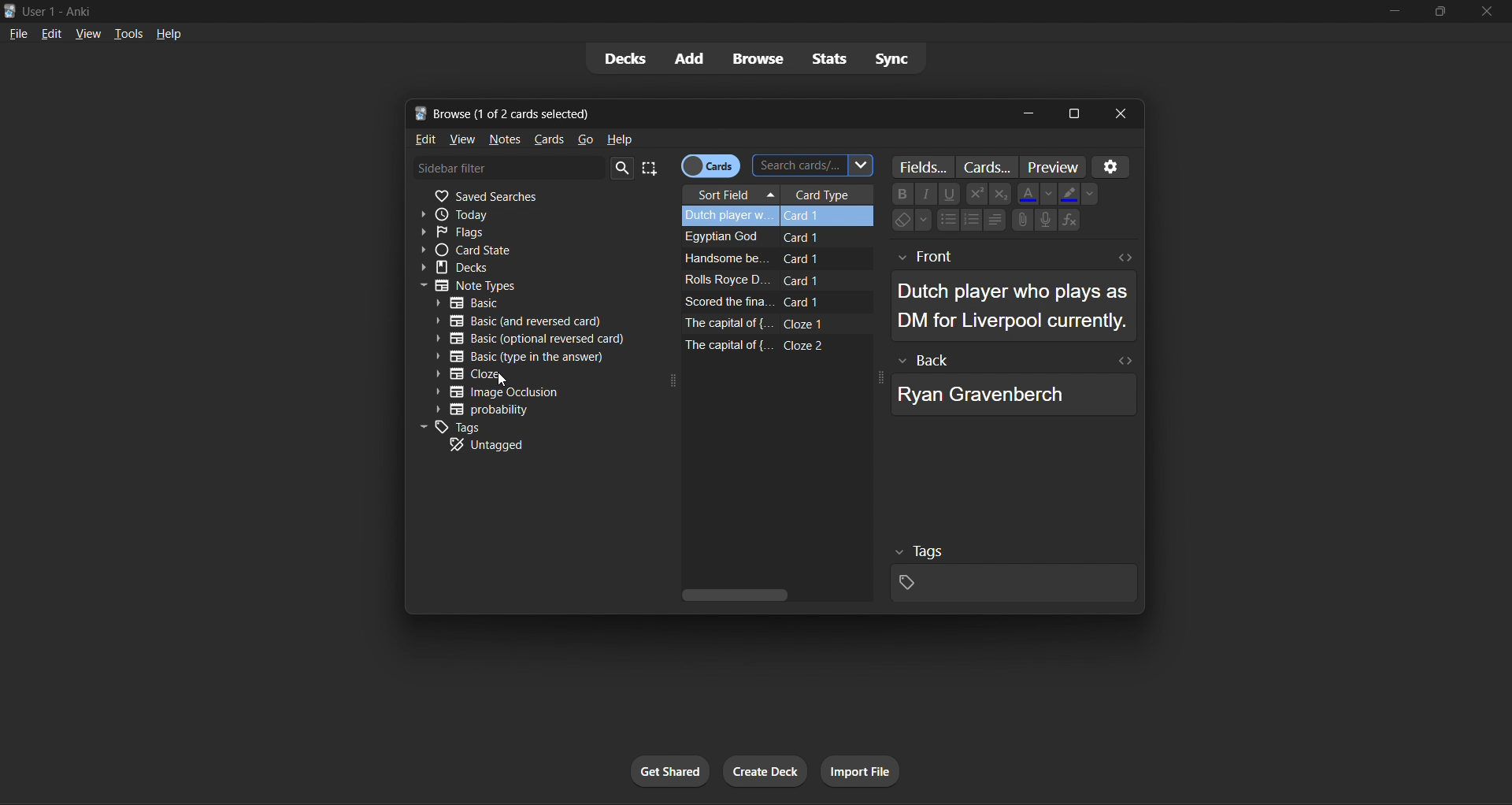  What do you see at coordinates (521, 358) in the screenshot?
I see `basic (type in the answer)` at bounding box center [521, 358].